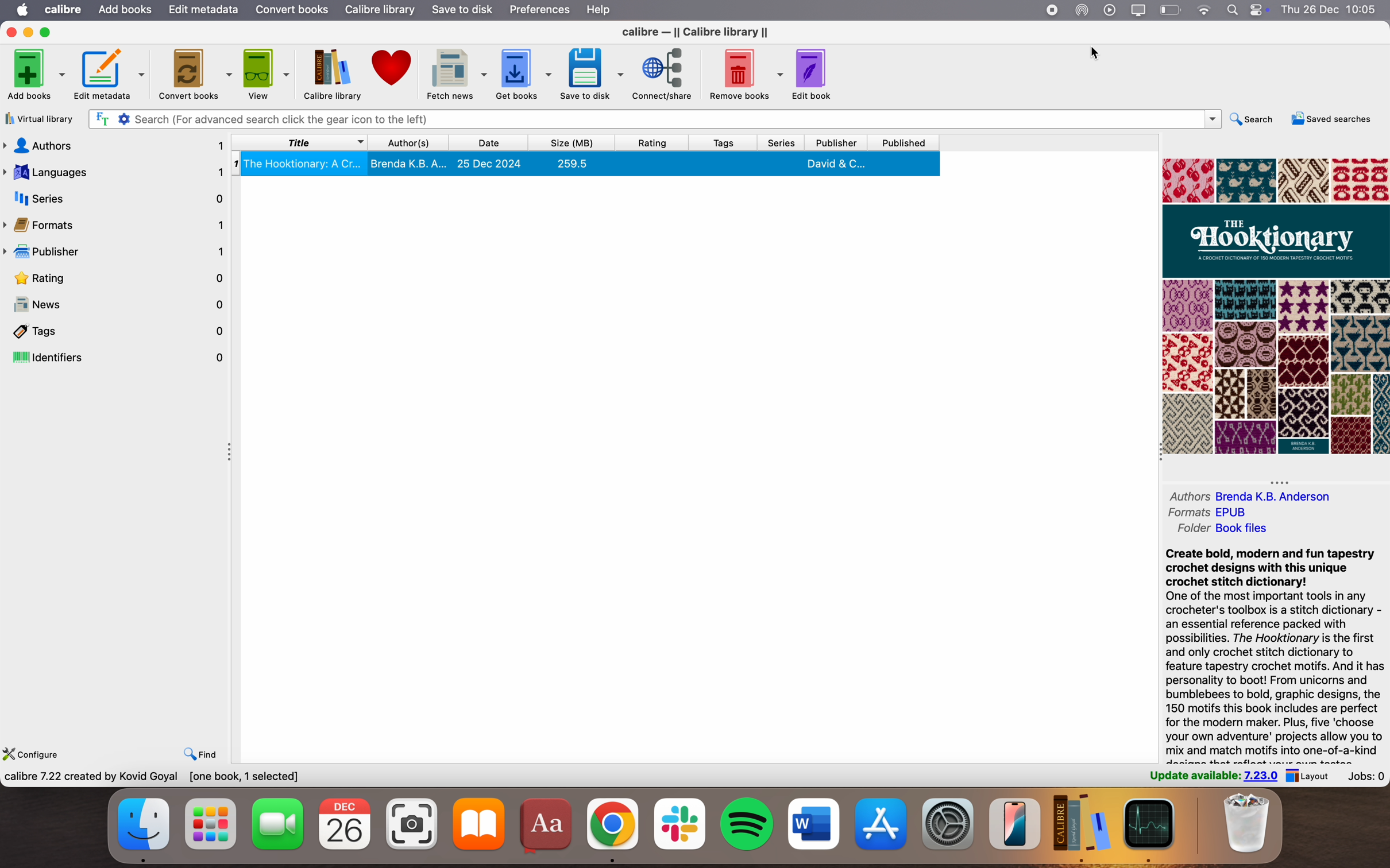 The width and height of the screenshot is (1390, 868). What do you see at coordinates (489, 142) in the screenshot?
I see `date` at bounding box center [489, 142].